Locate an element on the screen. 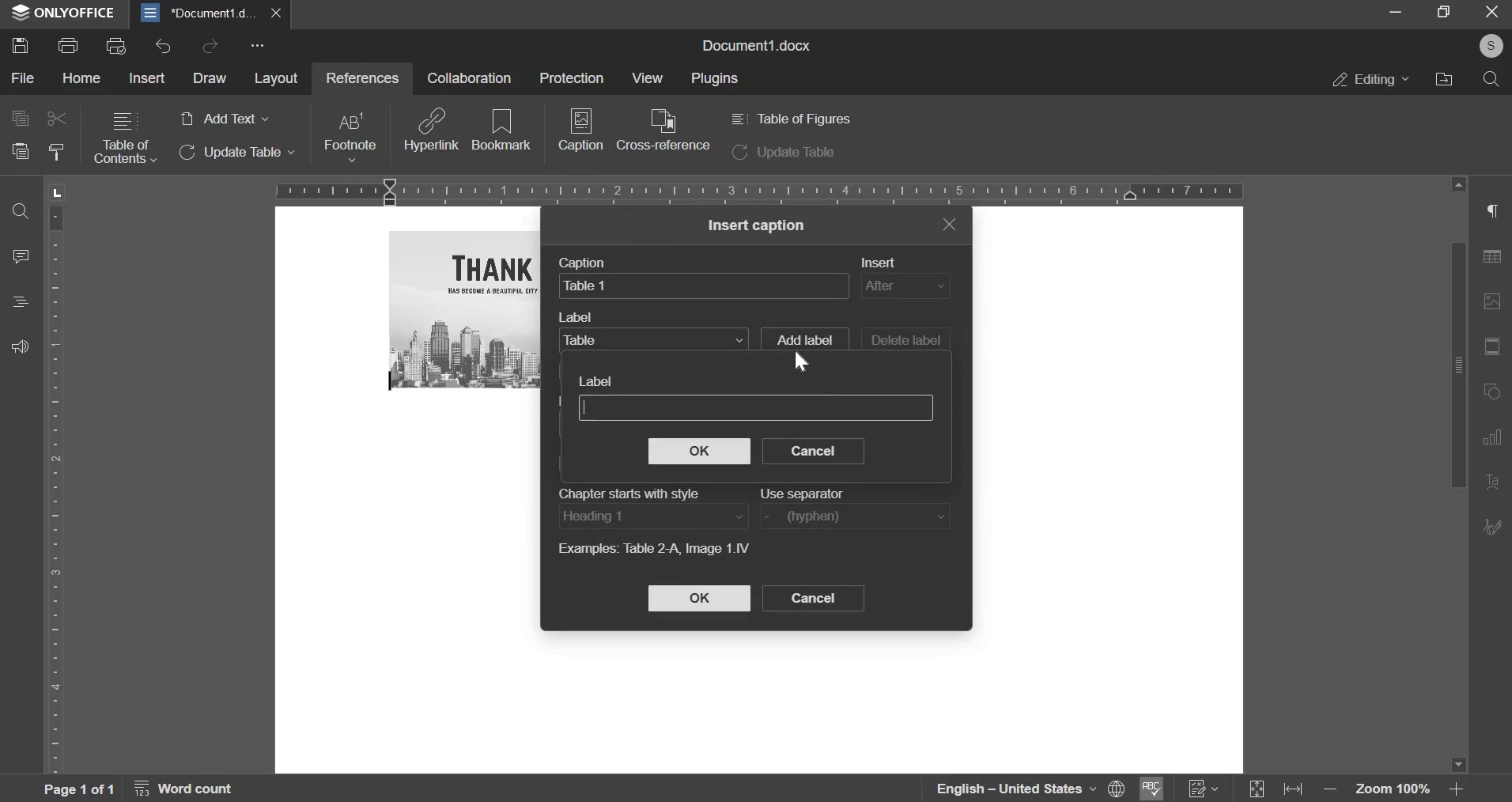  delete label is located at coordinates (905, 341).